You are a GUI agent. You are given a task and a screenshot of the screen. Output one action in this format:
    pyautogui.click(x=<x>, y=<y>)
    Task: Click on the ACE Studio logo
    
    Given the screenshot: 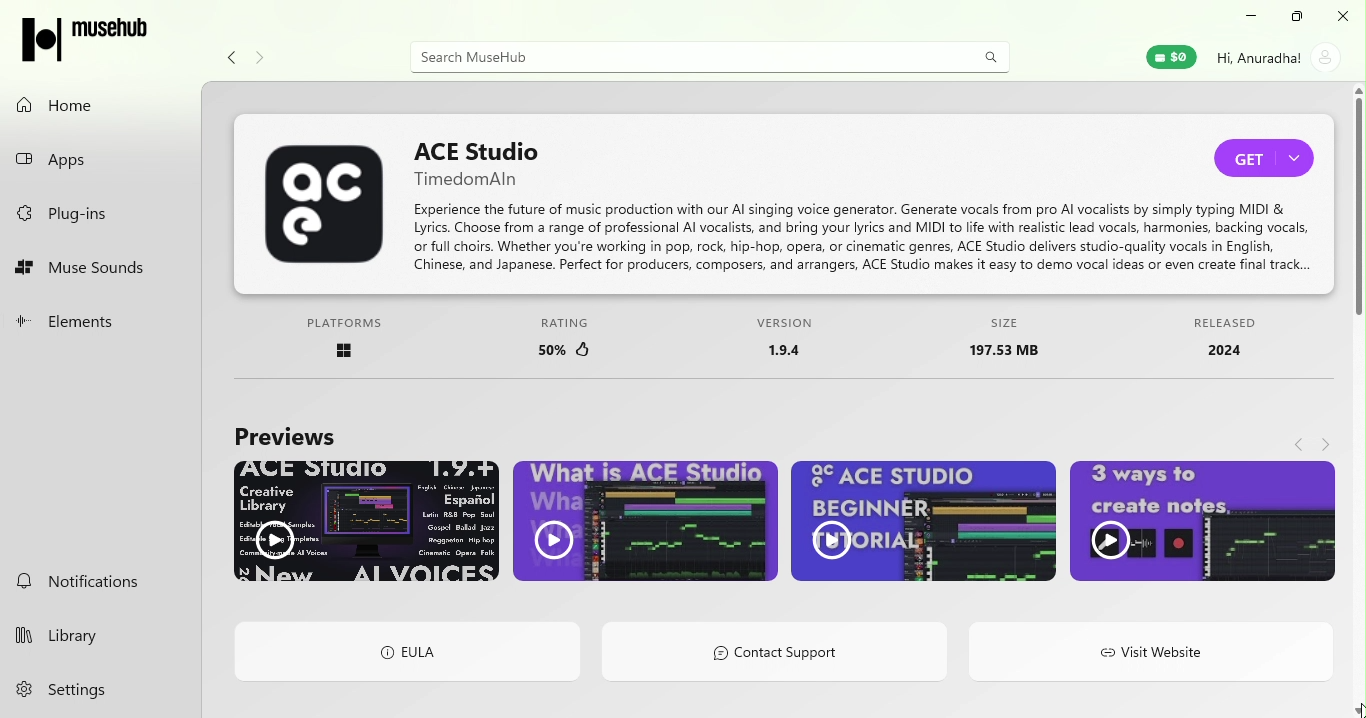 What is the action you would take?
    pyautogui.click(x=325, y=210)
    